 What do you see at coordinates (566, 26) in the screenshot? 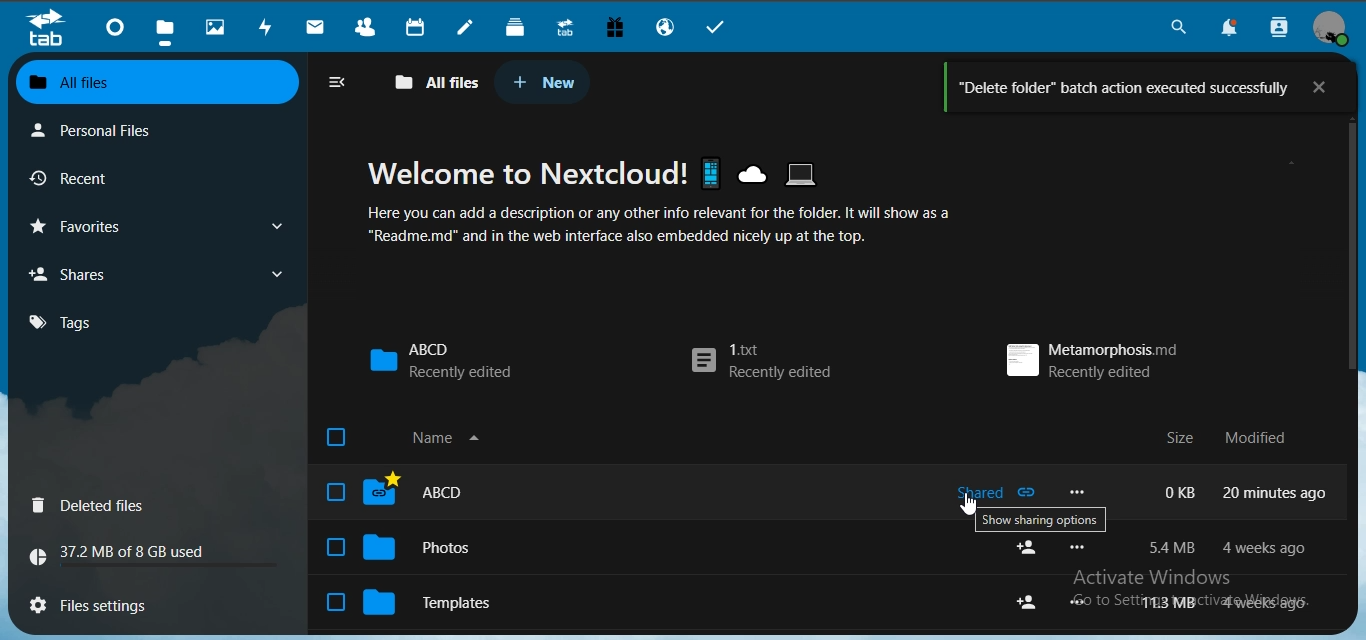
I see `upgrade` at bounding box center [566, 26].